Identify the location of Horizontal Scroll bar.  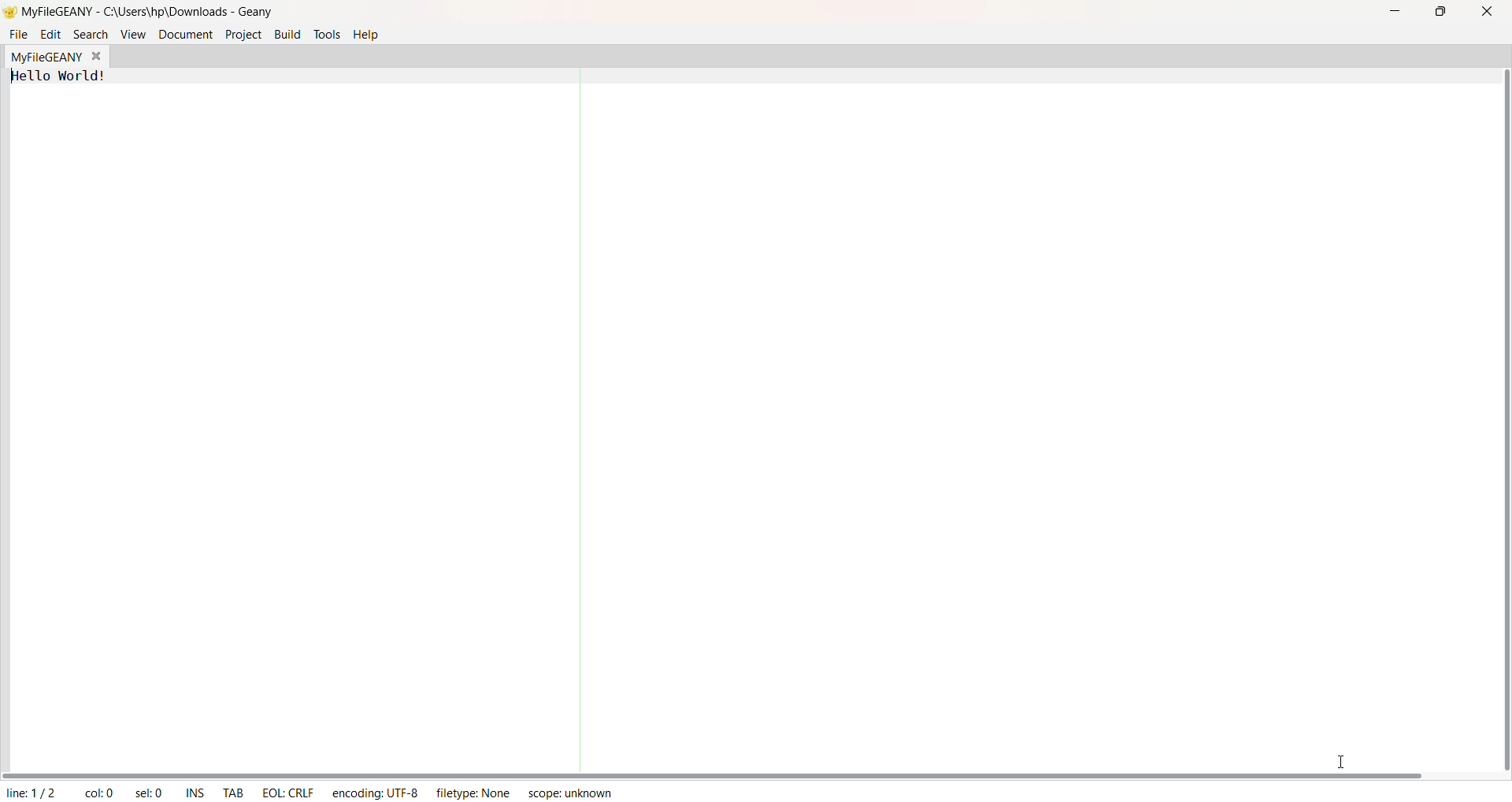
(712, 774).